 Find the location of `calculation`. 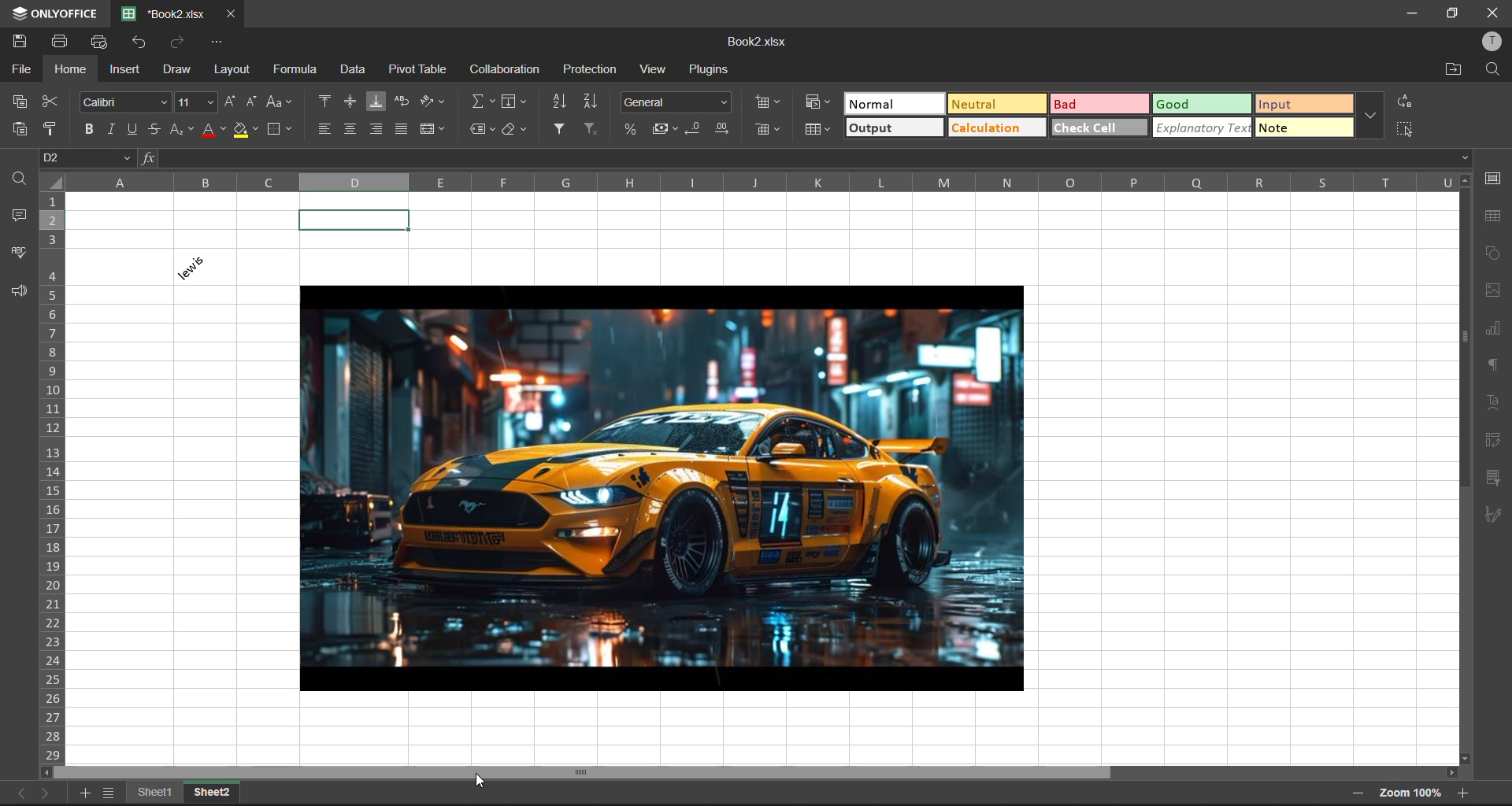

calculation is located at coordinates (996, 128).